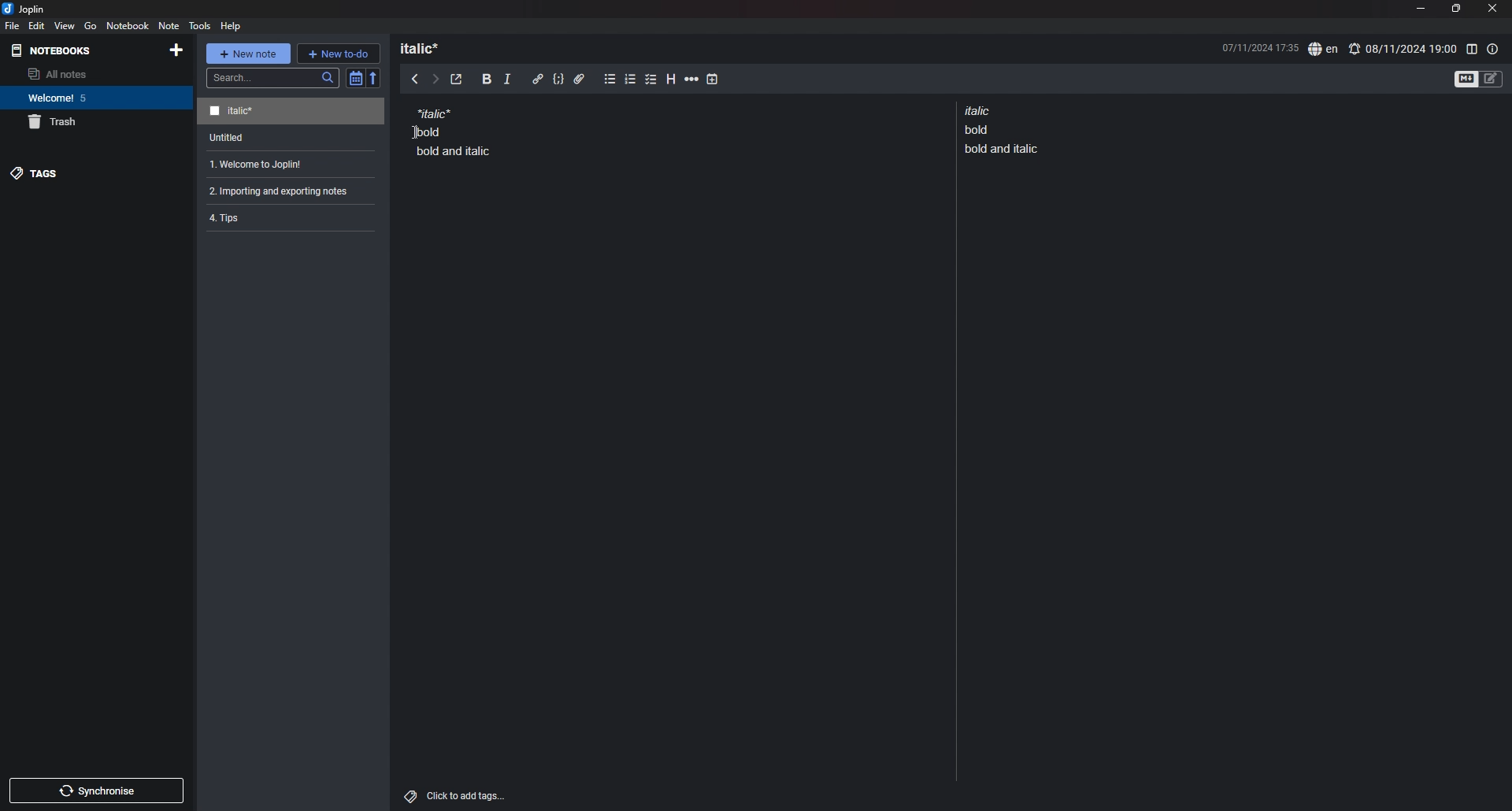 The width and height of the screenshot is (1512, 811). Describe the element at coordinates (631, 81) in the screenshot. I see `numbered list` at that location.